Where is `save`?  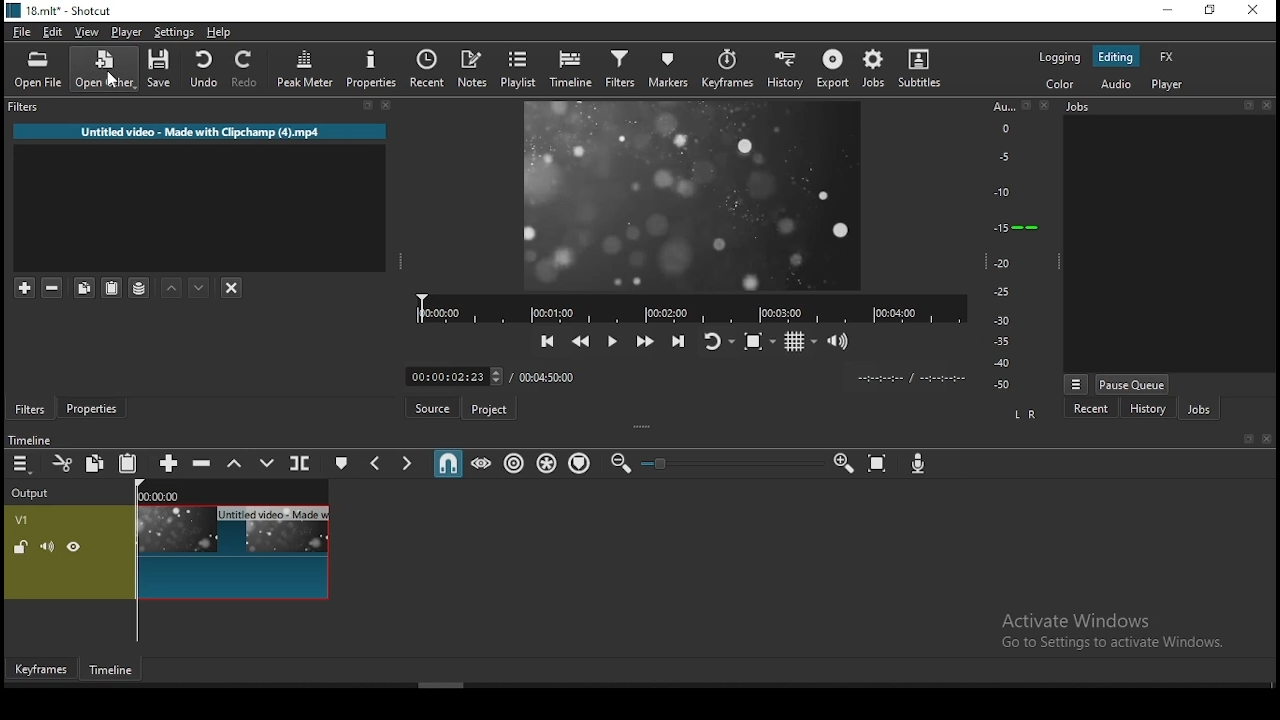
save is located at coordinates (159, 70).